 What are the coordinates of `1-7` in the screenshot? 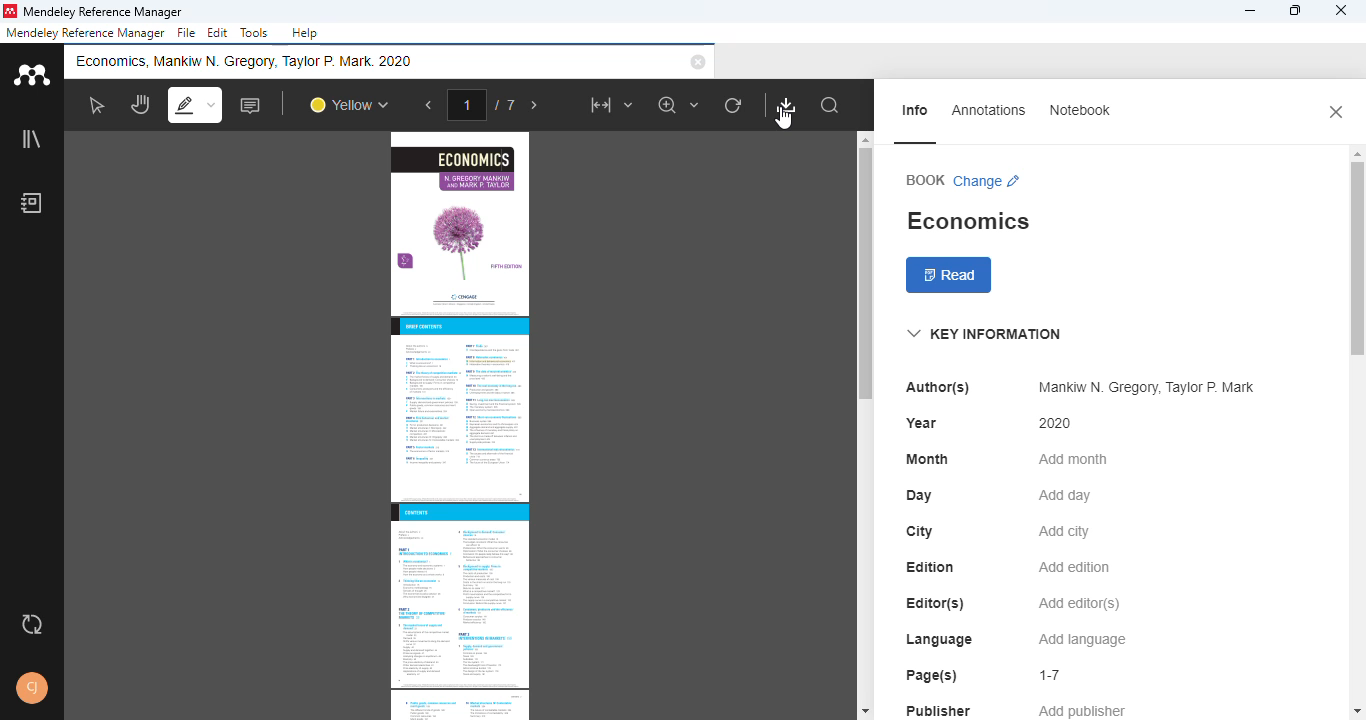 It's located at (1051, 675).